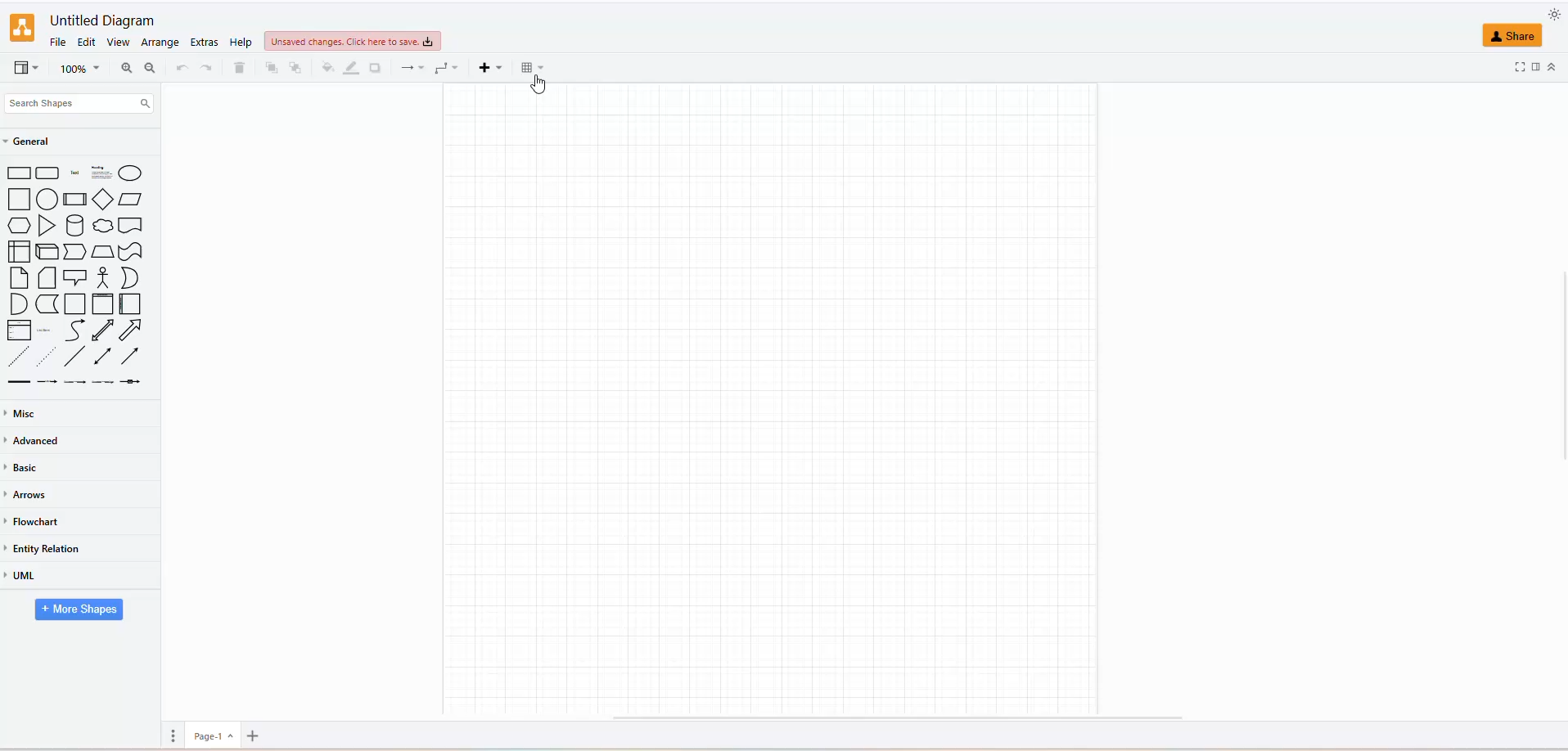 This screenshot has width=1568, height=751. What do you see at coordinates (19, 27) in the screenshot?
I see `logo` at bounding box center [19, 27].